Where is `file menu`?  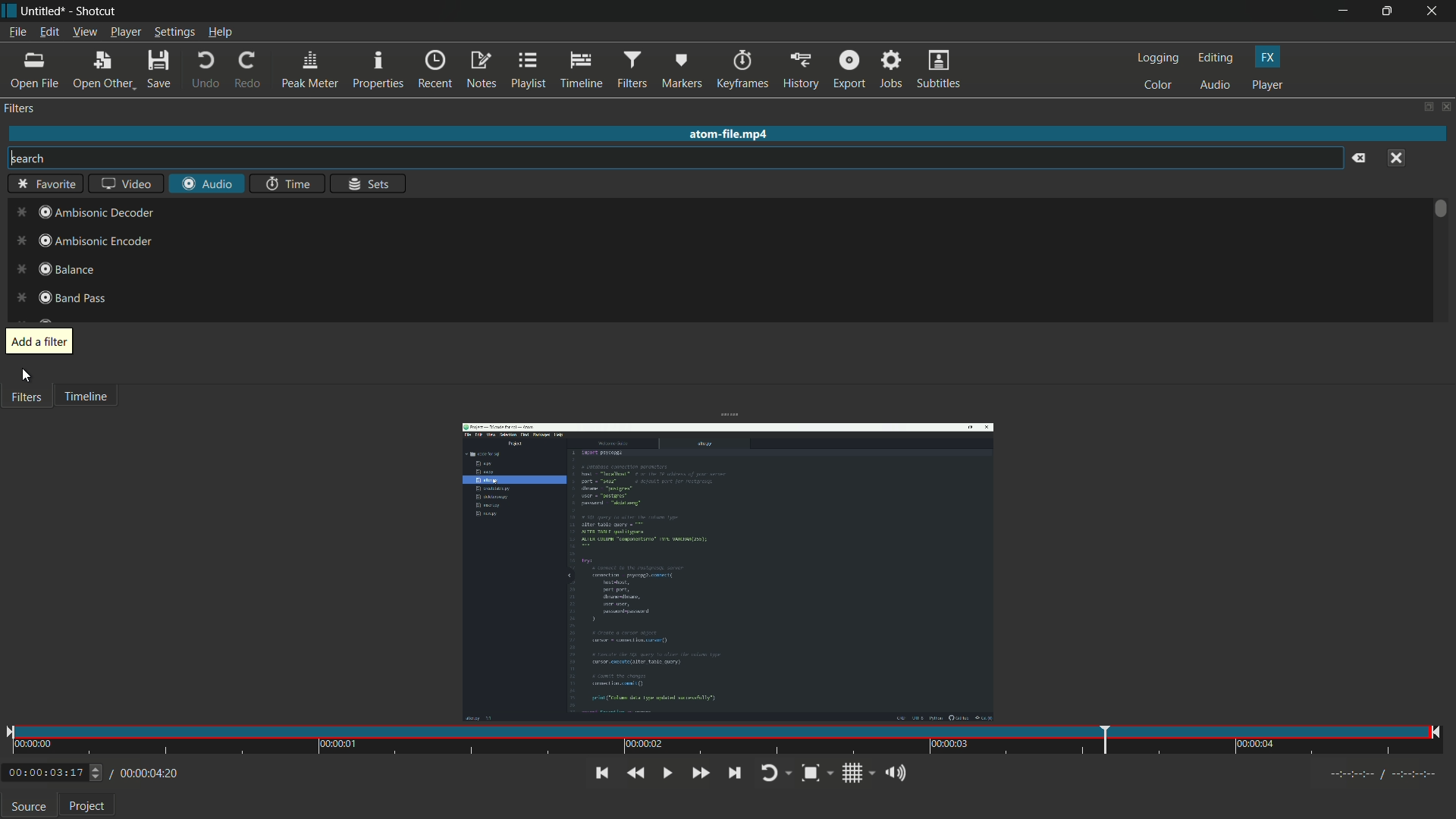 file menu is located at coordinates (17, 31).